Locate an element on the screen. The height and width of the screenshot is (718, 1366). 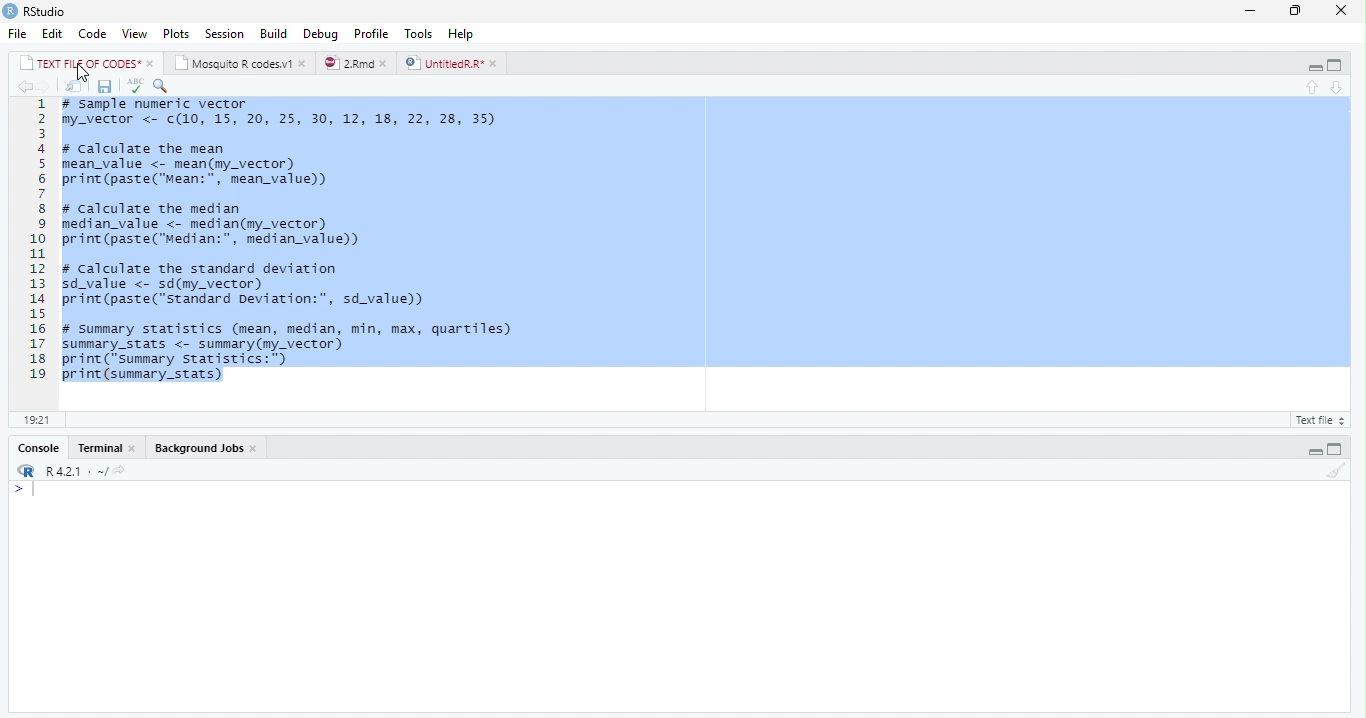
Mosquito R codes.v1 is located at coordinates (235, 64).